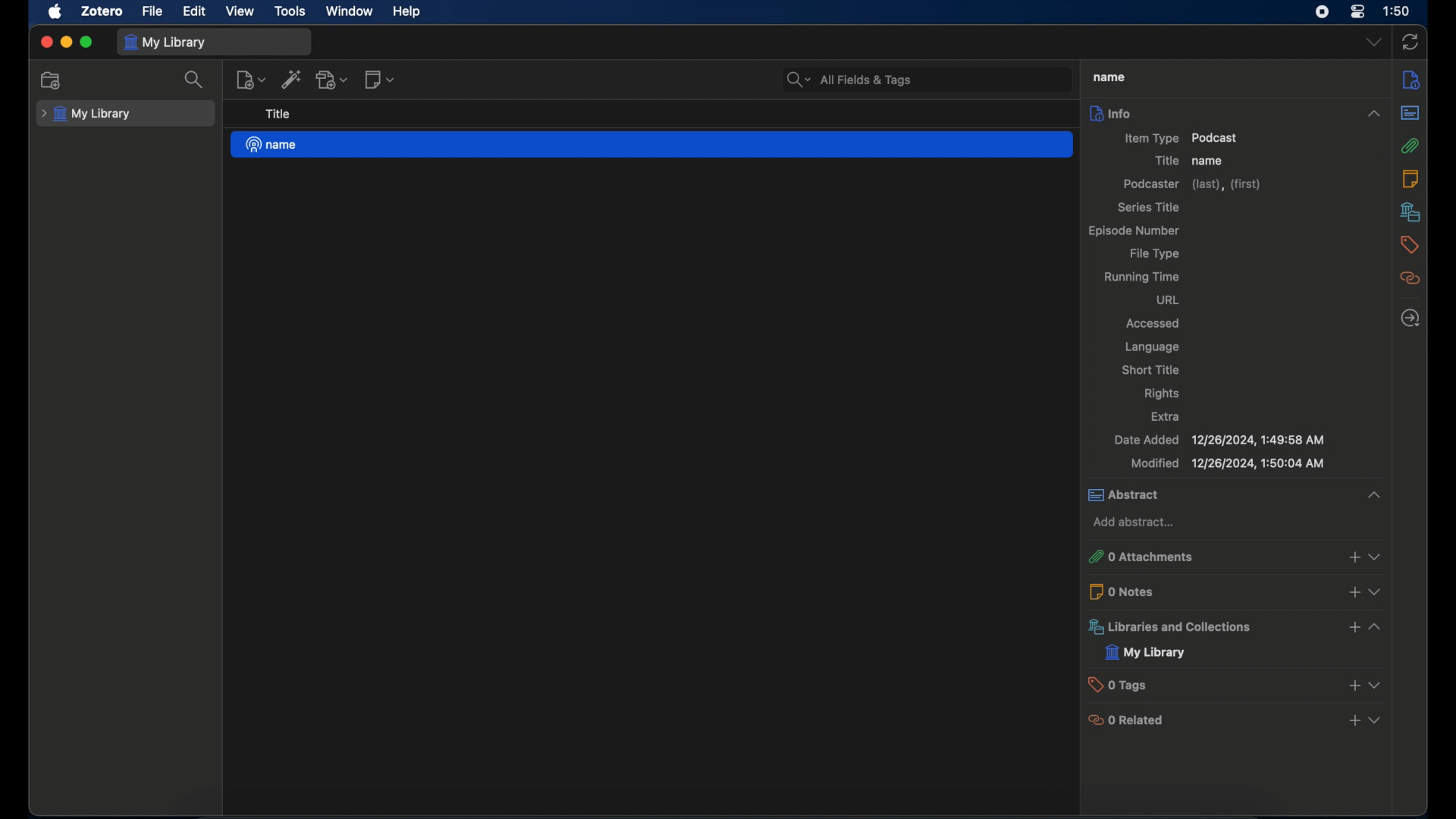 This screenshot has width=1456, height=819. I want to click on edit, so click(196, 11).